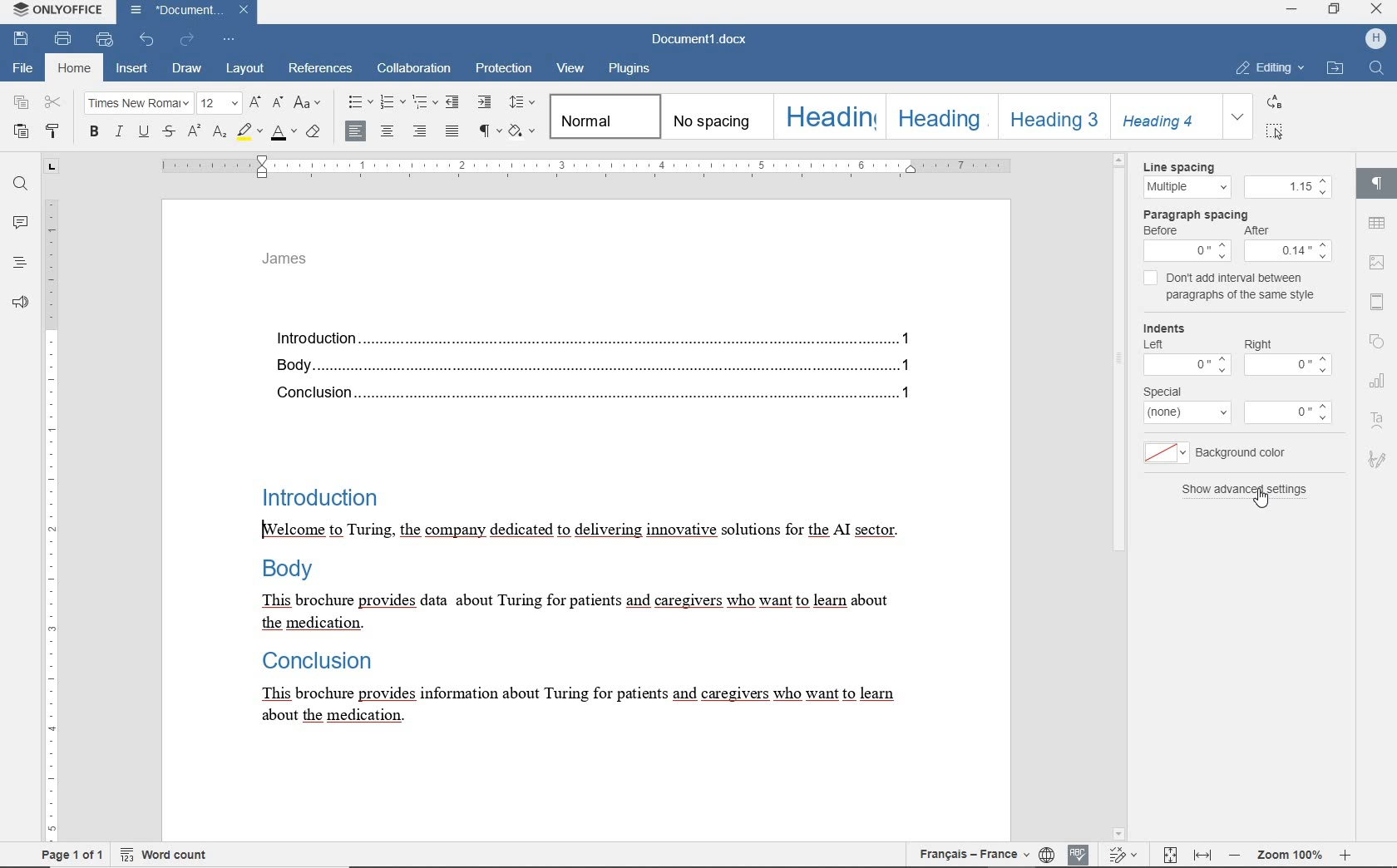 Image resolution: width=1397 pixels, height=868 pixels. Describe the element at coordinates (1187, 251) in the screenshot. I see `menu` at that location.